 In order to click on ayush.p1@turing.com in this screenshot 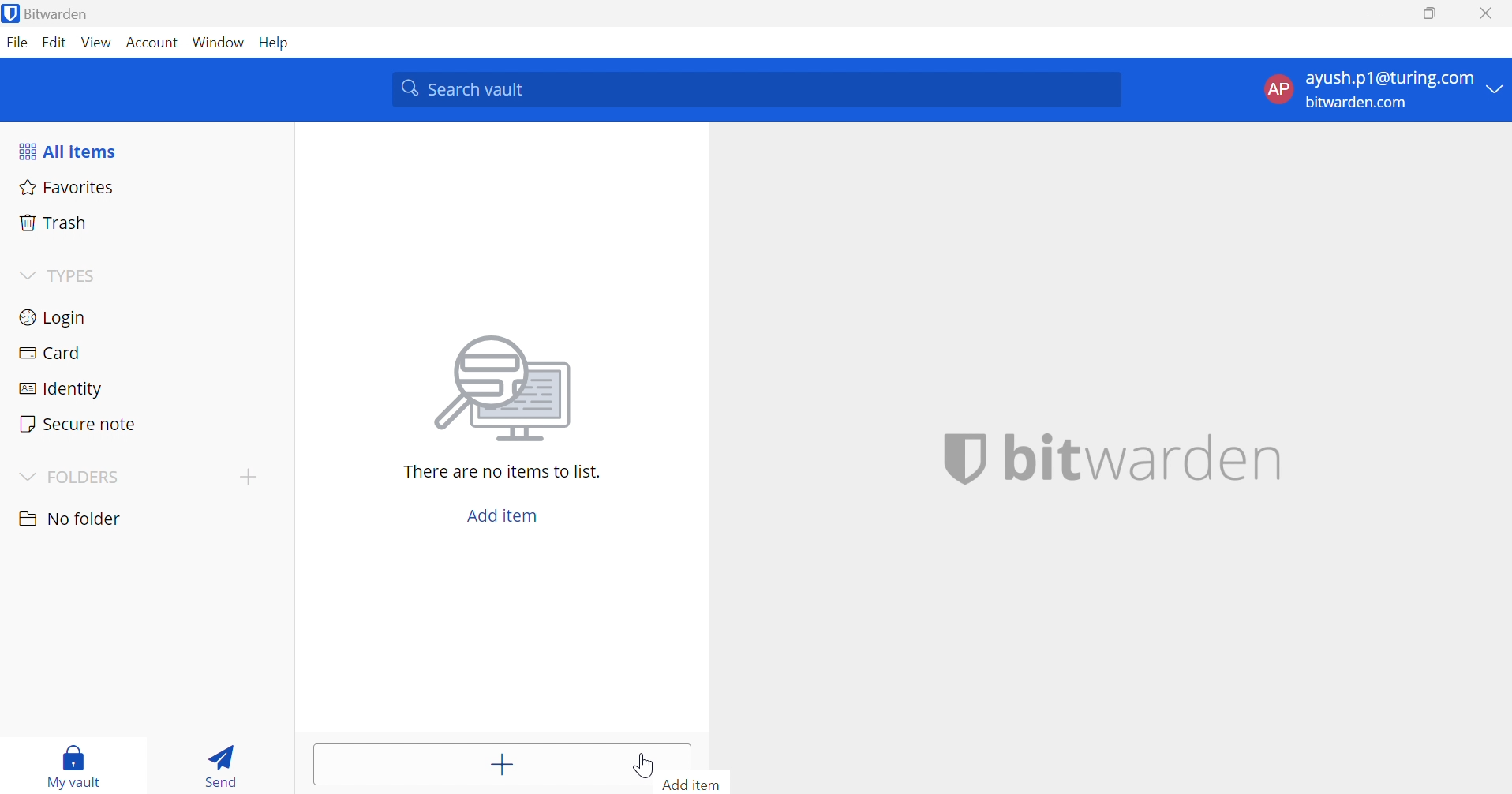, I will do `click(1389, 79)`.